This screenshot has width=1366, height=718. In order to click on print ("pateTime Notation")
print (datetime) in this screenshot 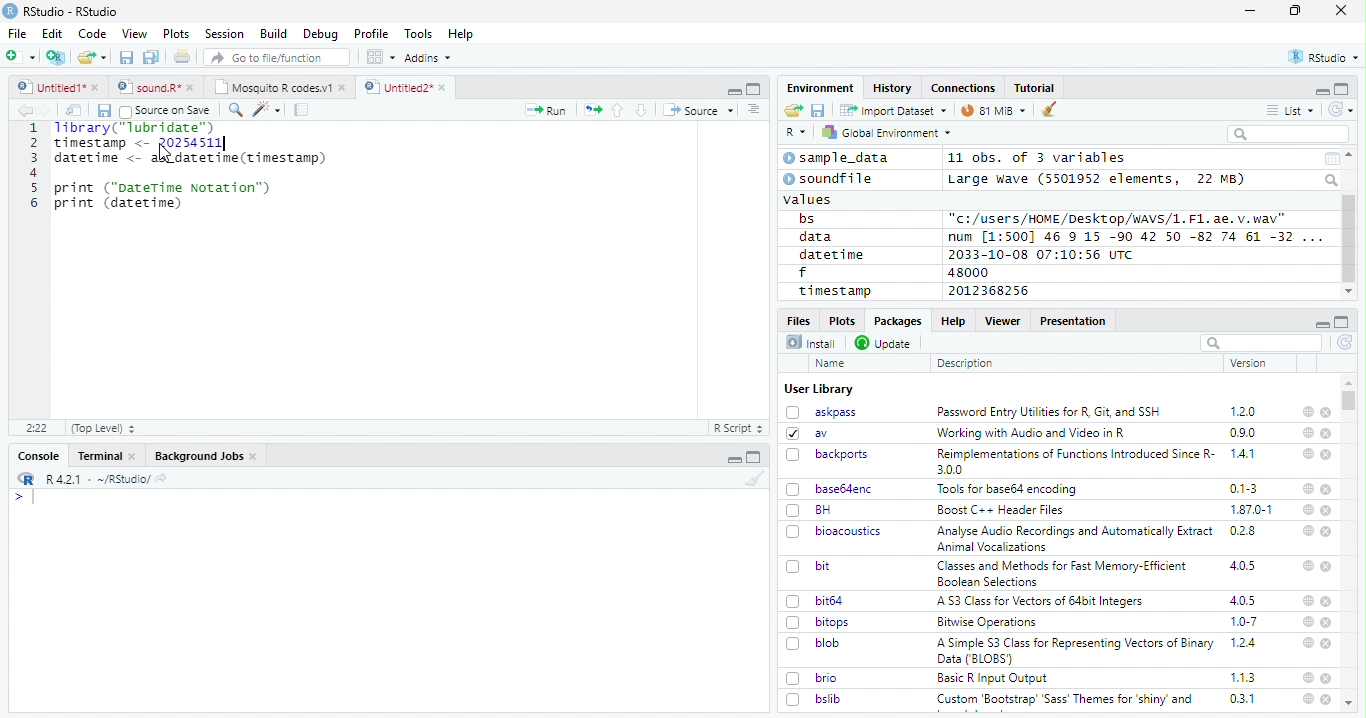, I will do `click(164, 196)`.